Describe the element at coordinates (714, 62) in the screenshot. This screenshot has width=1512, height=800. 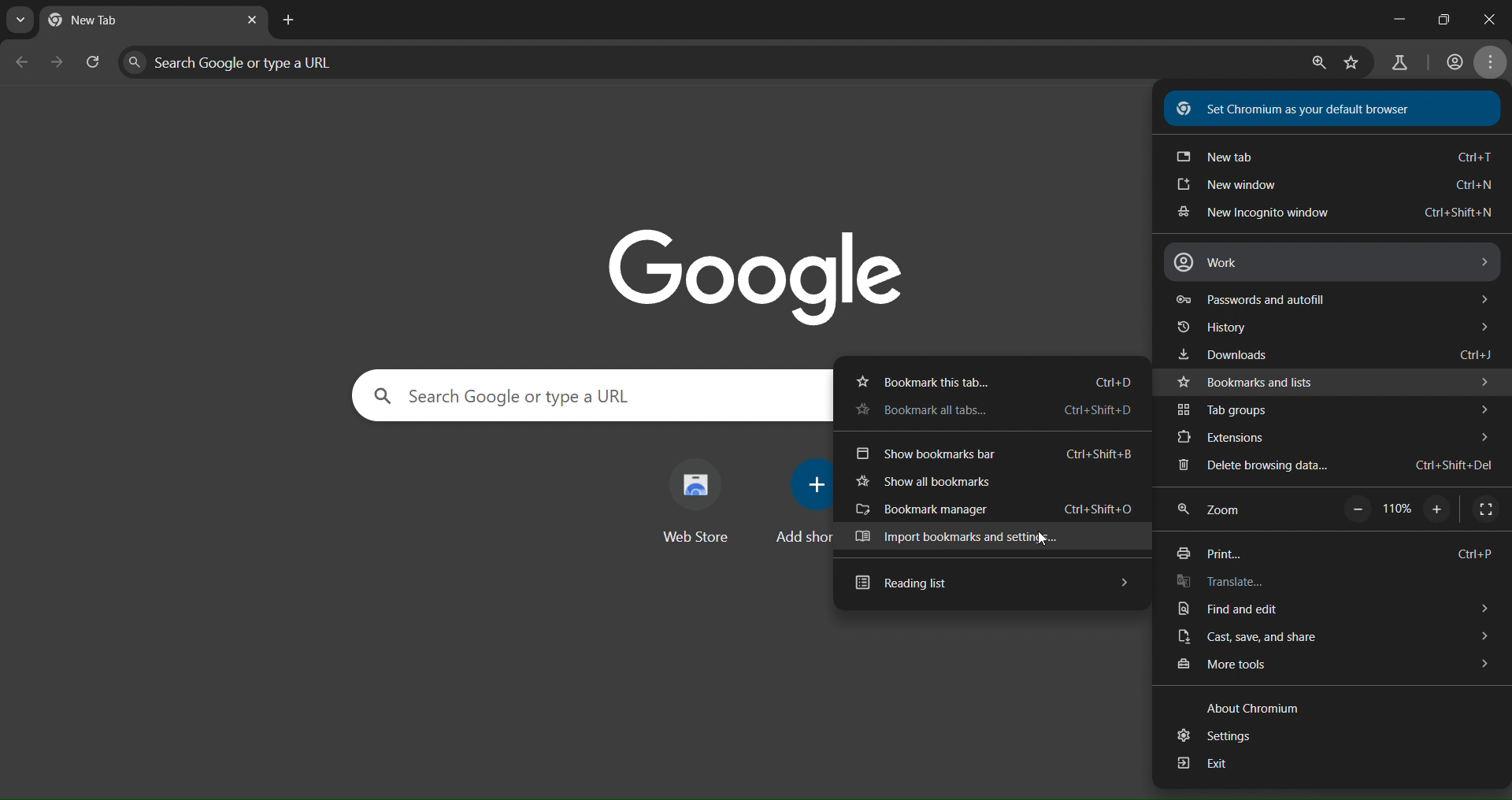
I see `Search Google or type a URL` at that location.